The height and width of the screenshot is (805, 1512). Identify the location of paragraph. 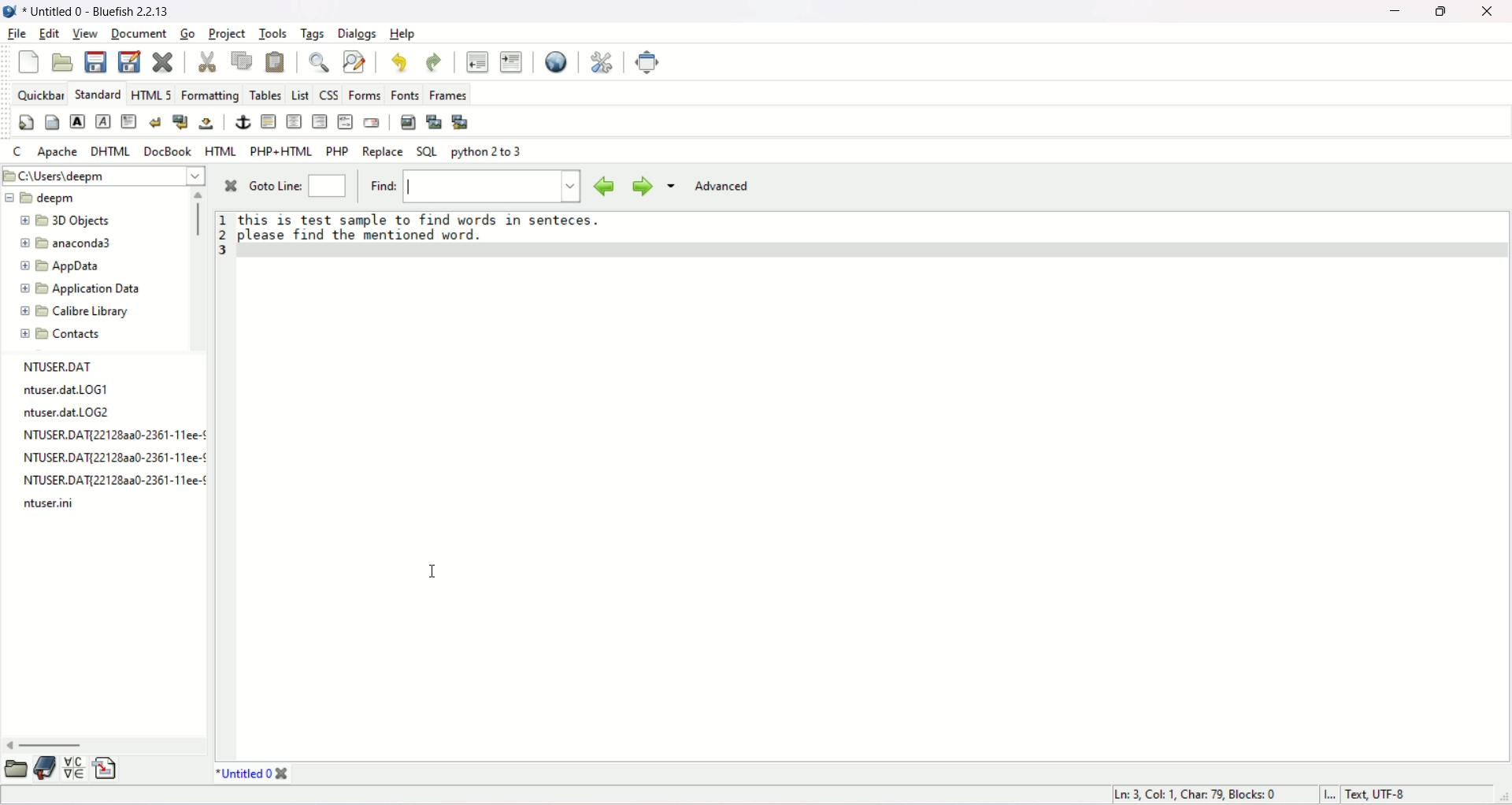
(129, 121).